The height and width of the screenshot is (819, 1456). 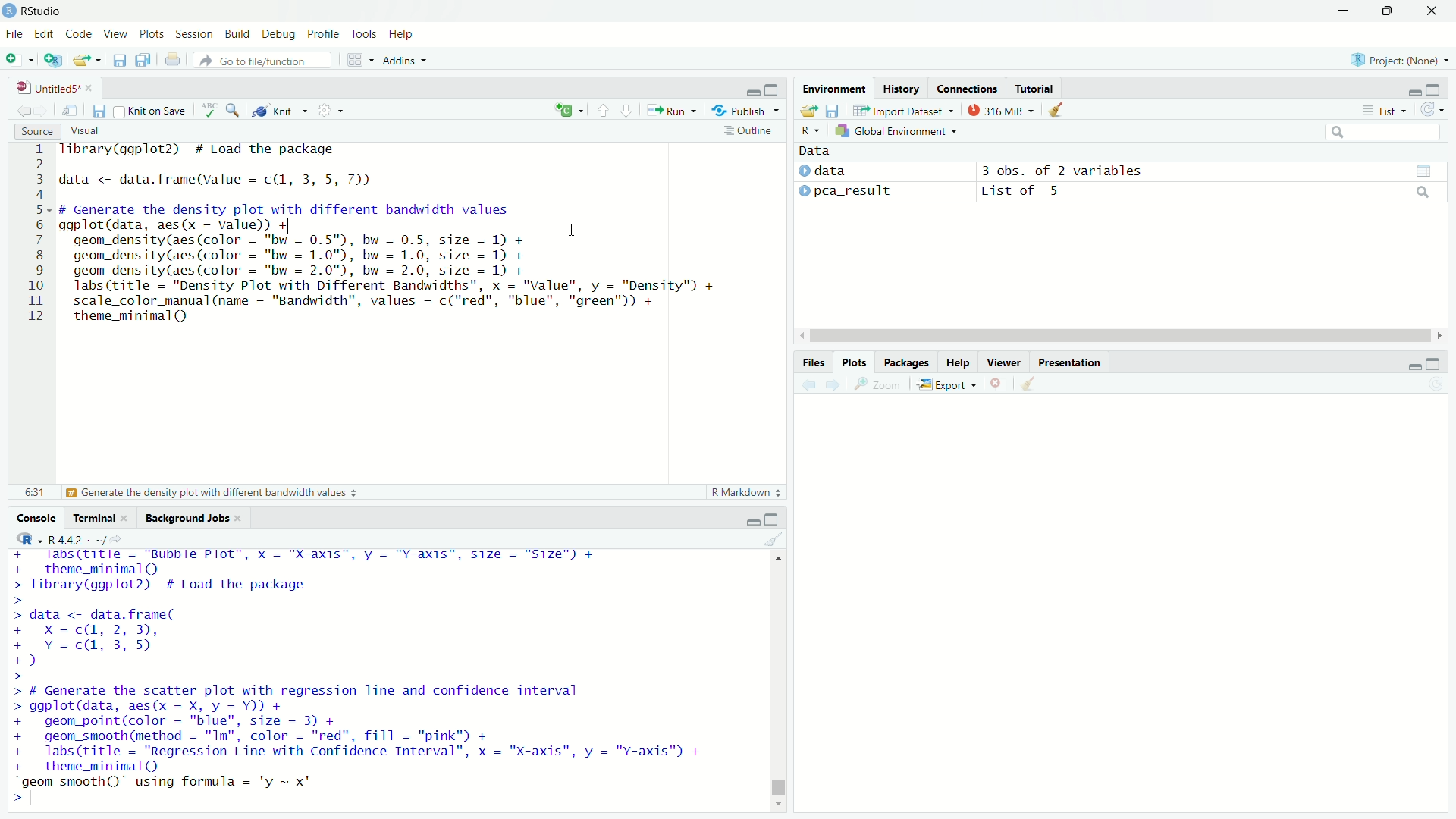 I want to click on close, so click(x=89, y=88).